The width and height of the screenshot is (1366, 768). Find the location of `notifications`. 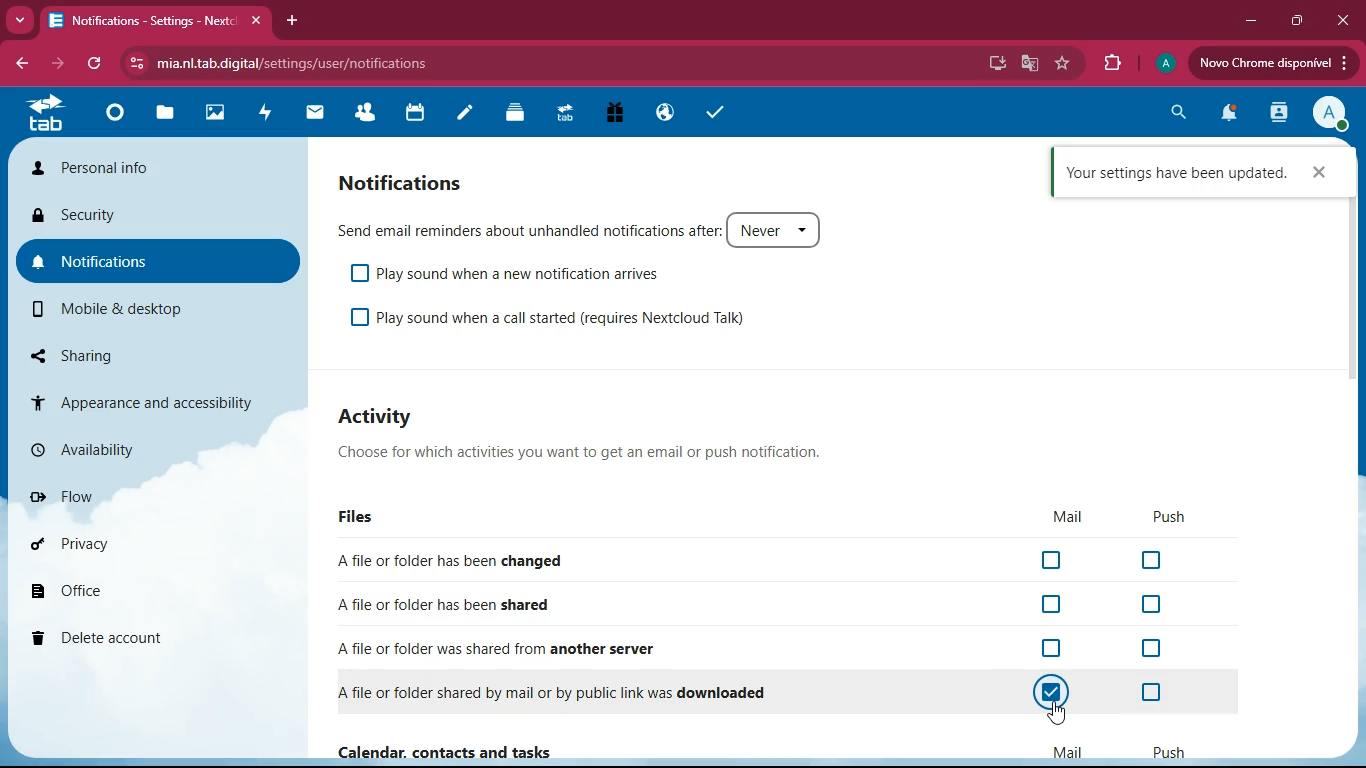

notifications is located at coordinates (165, 259).